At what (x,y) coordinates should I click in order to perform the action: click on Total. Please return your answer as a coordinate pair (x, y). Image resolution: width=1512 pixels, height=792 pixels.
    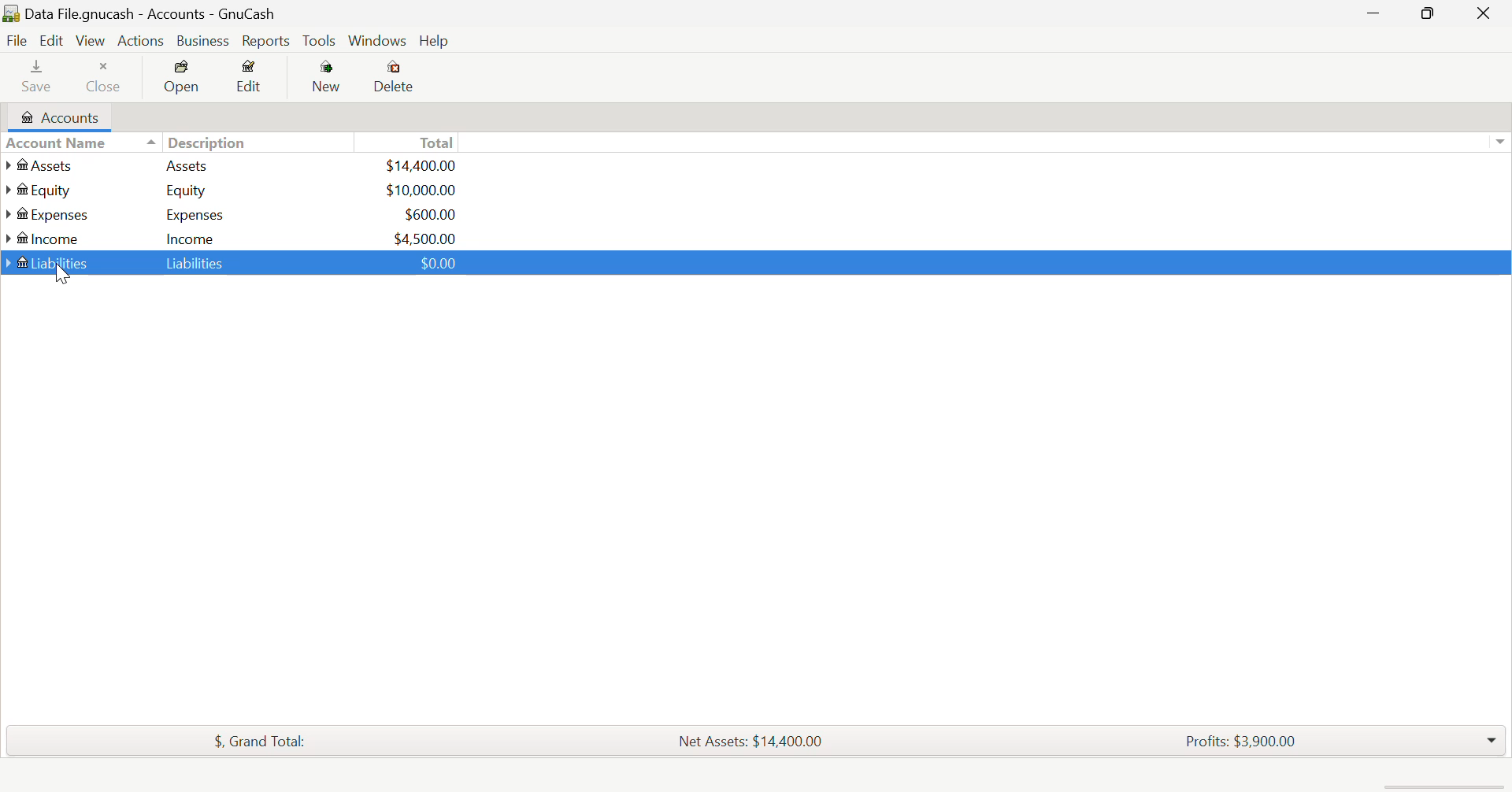
    Looking at the image, I should click on (439, 142).